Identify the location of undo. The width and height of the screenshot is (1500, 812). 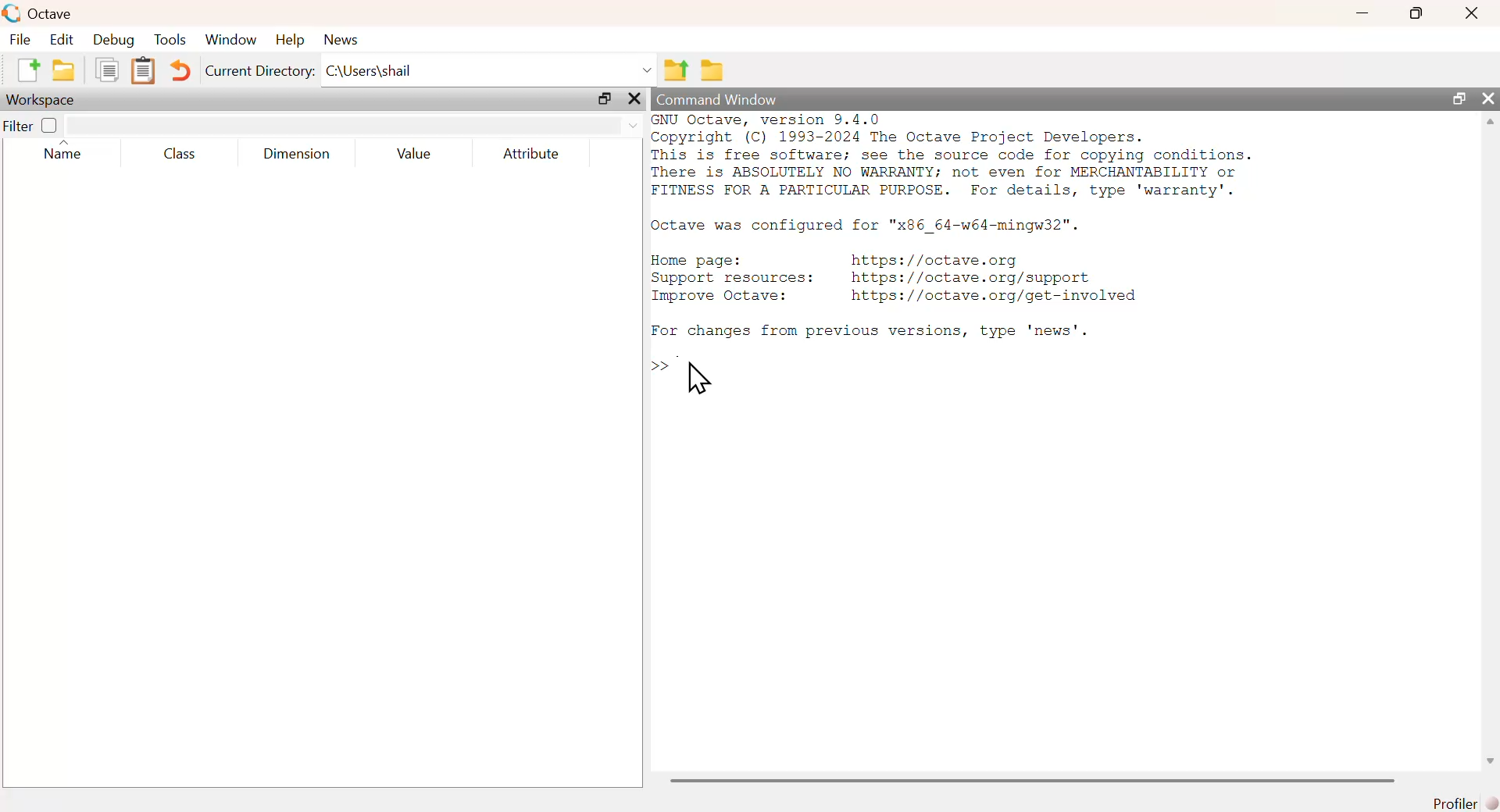
(184, 73).